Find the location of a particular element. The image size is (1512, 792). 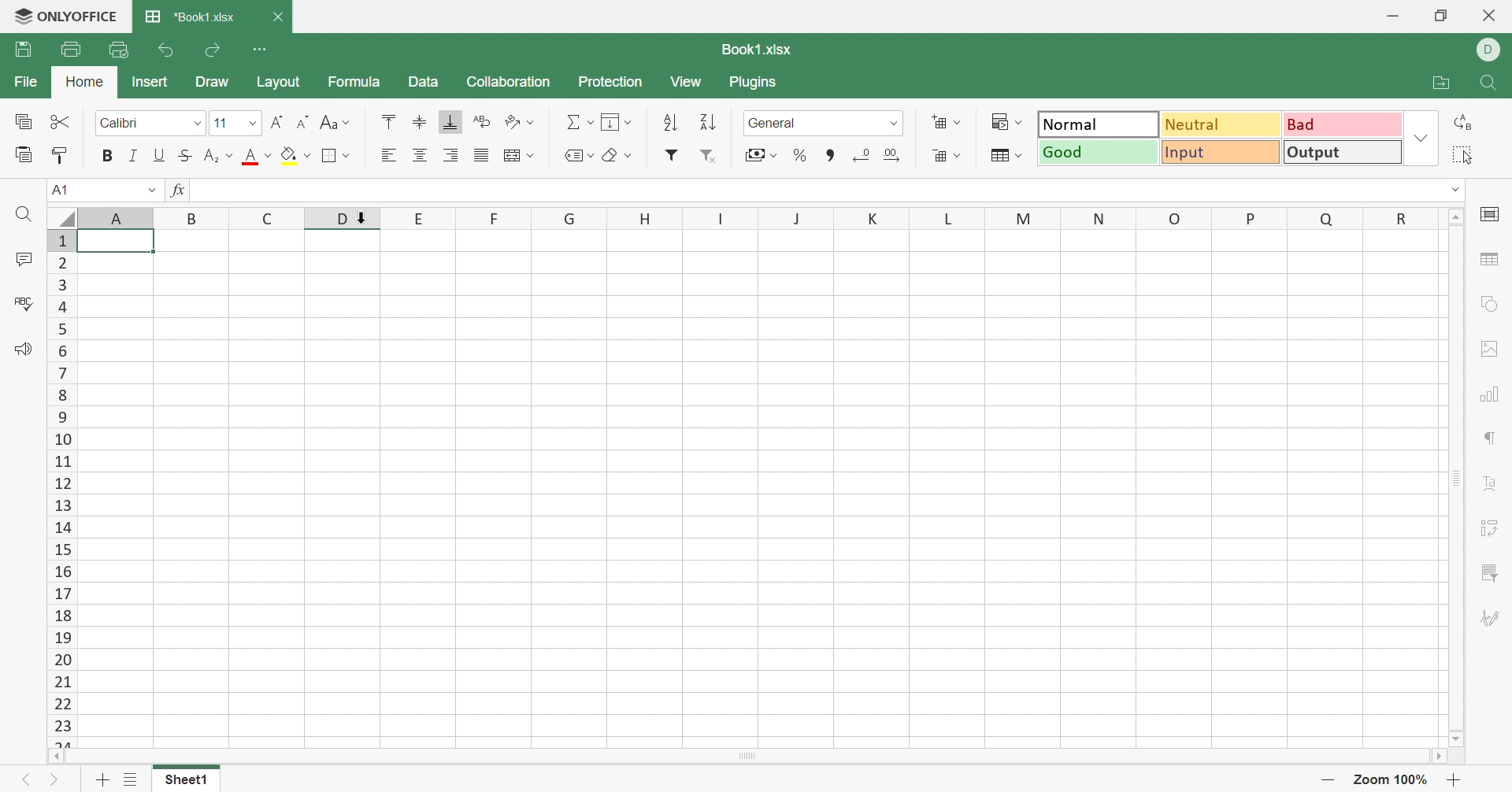

Column Names is located at coordinates (743, 217).